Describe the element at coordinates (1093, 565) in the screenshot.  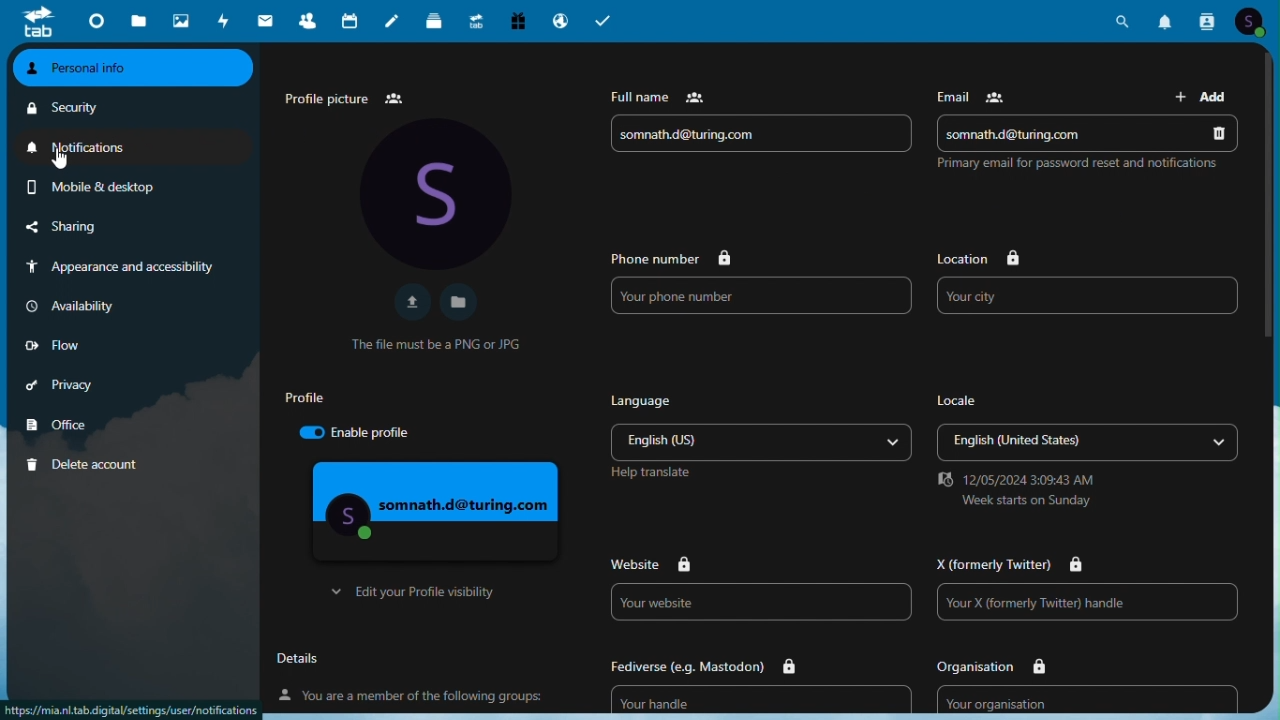
I see `twitter` at that location.